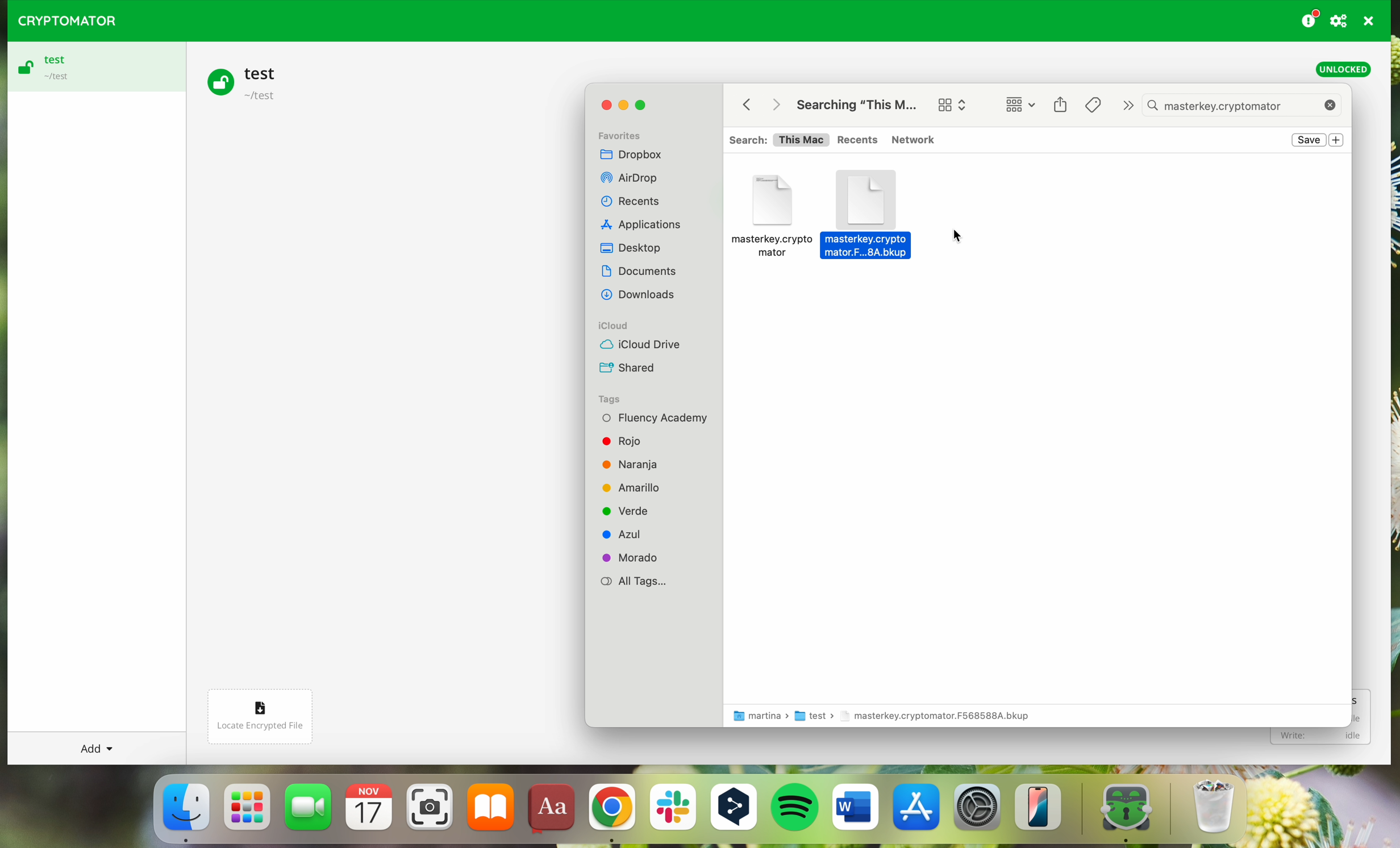 The height and width of the screenshot is (848, 1400). What do you see at coordinates (745, 139) in the screenshot?
I see `Search` at bounding box center [745, 139].